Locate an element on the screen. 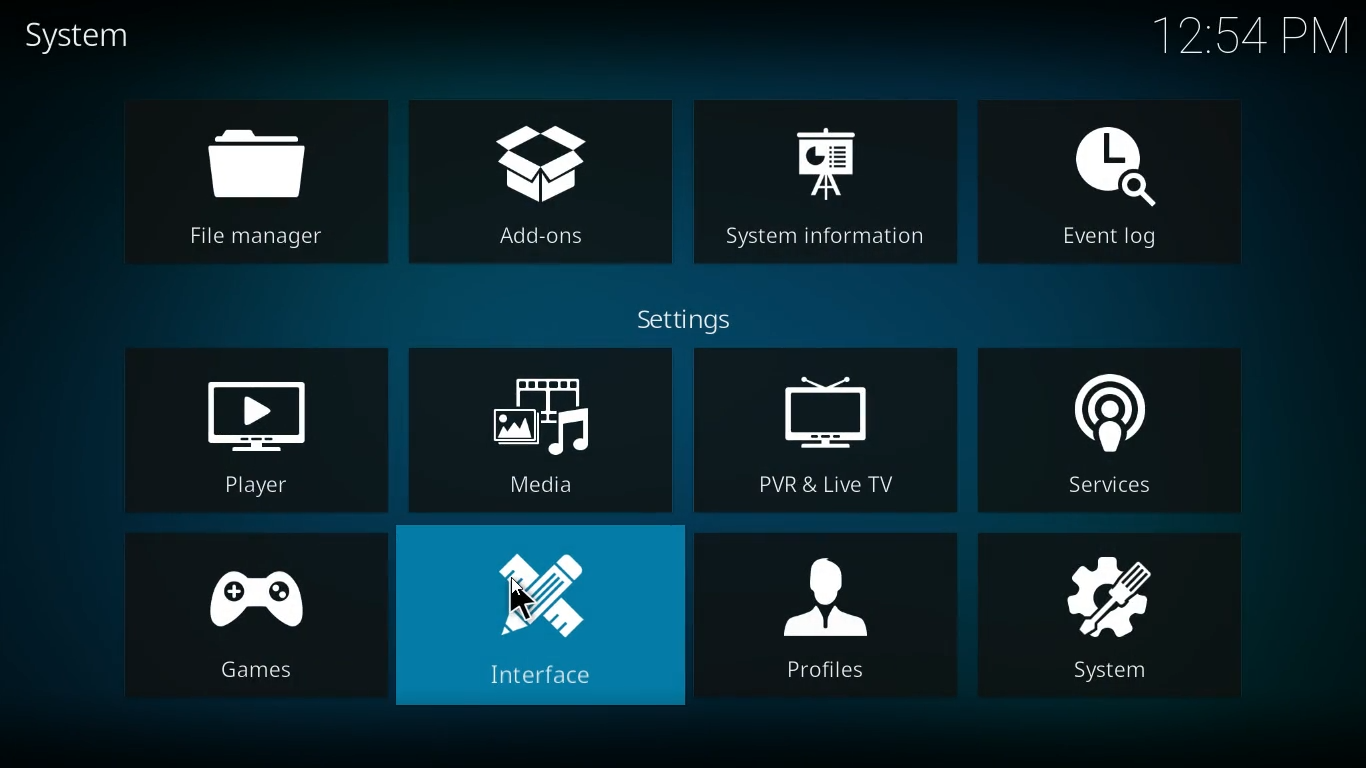 This screenshot has height=768, width=1366. cursor is located at coordinates (522, 599).